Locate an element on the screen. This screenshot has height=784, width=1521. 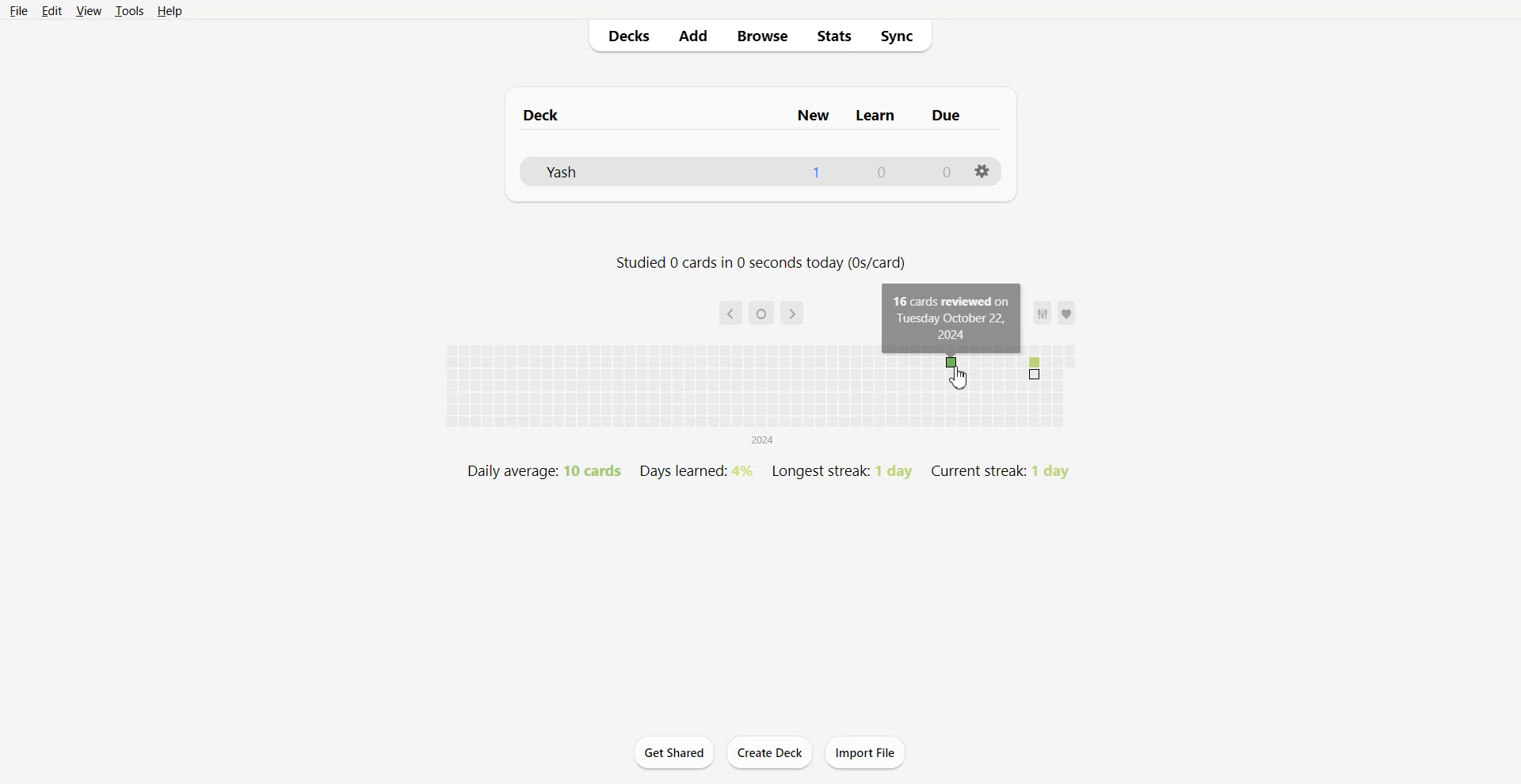
Help is located at coordinates (170, 11).